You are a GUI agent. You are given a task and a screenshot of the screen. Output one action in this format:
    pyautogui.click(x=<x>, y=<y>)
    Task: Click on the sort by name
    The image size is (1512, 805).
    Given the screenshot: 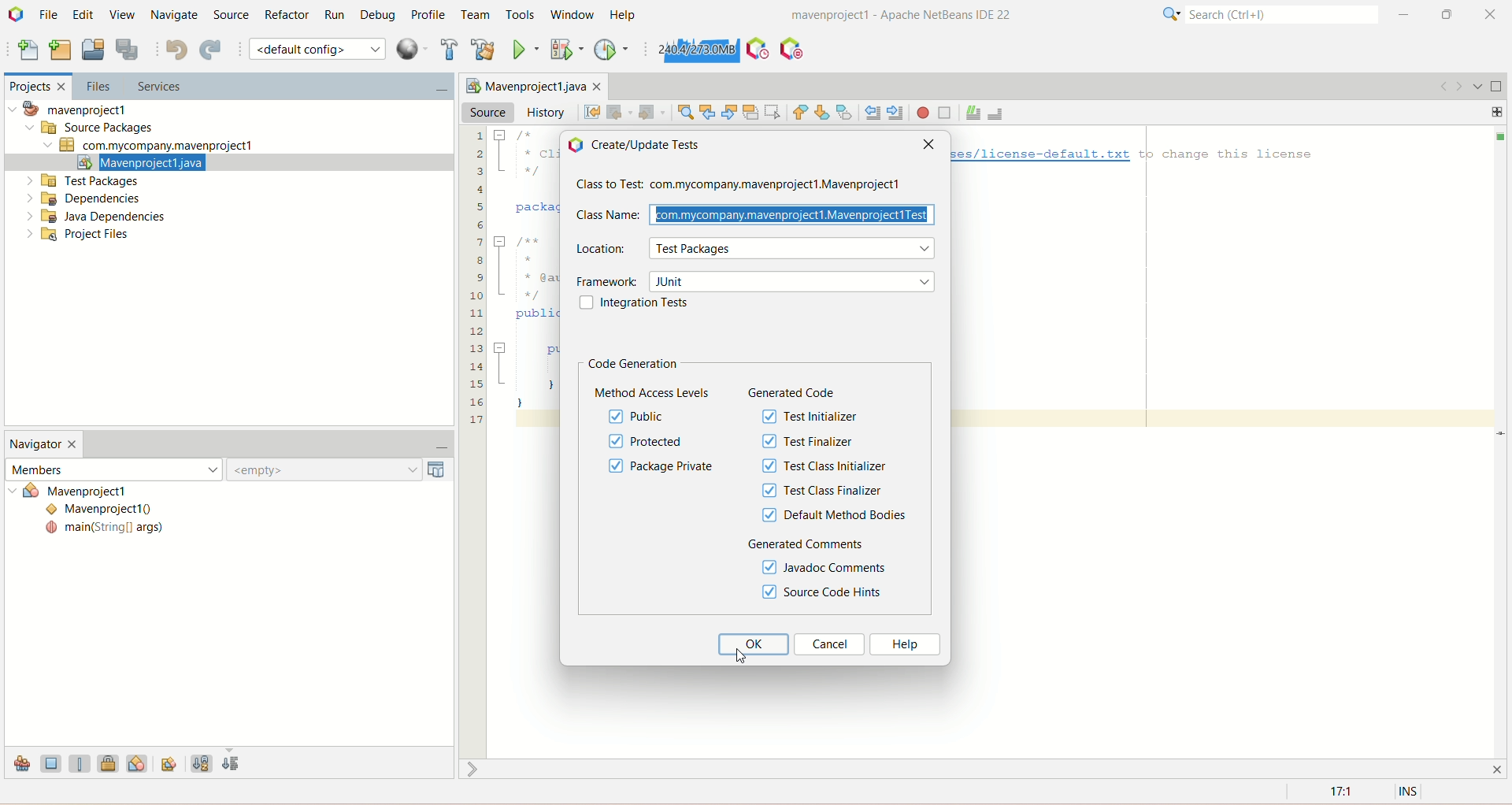 What is the action you would take?
    pyautogui.click(x=201, y=761)
    